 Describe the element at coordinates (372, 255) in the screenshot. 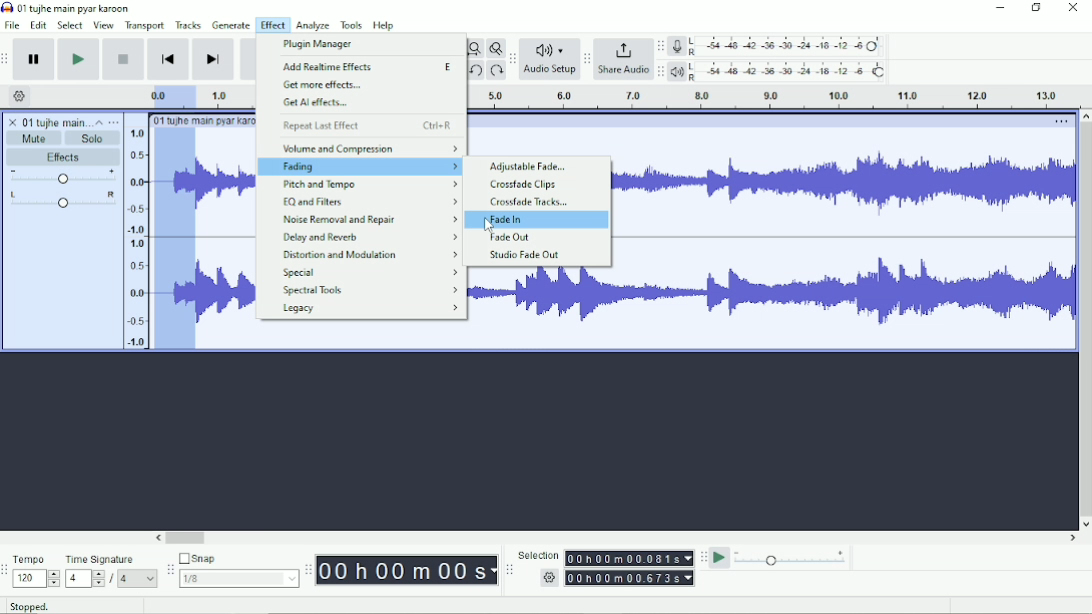

I see `Distortion and Modulation` at that location.